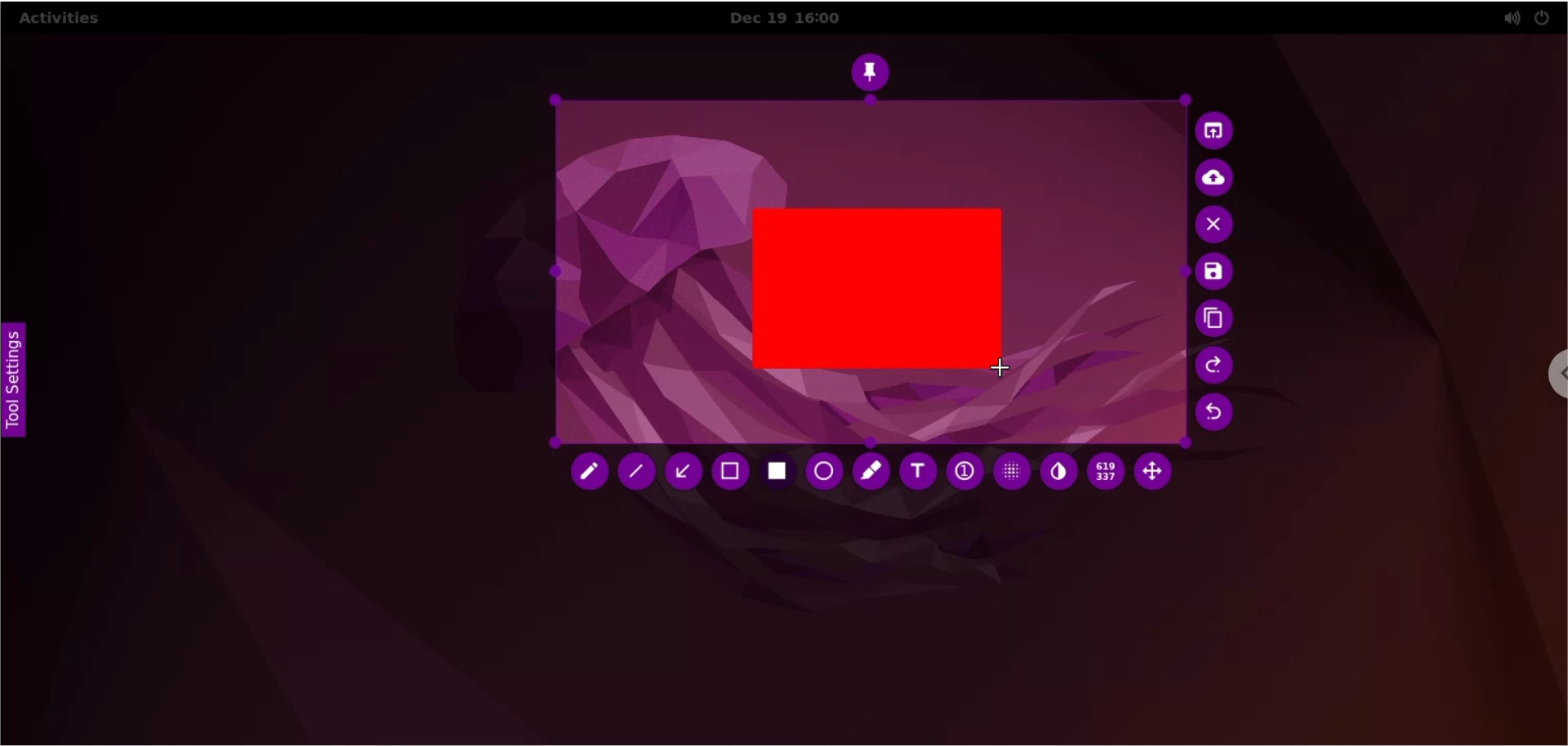 Image resolution: width=1568 pixels, height=746 pixels. I want to click on line tool, so click(640, 473).